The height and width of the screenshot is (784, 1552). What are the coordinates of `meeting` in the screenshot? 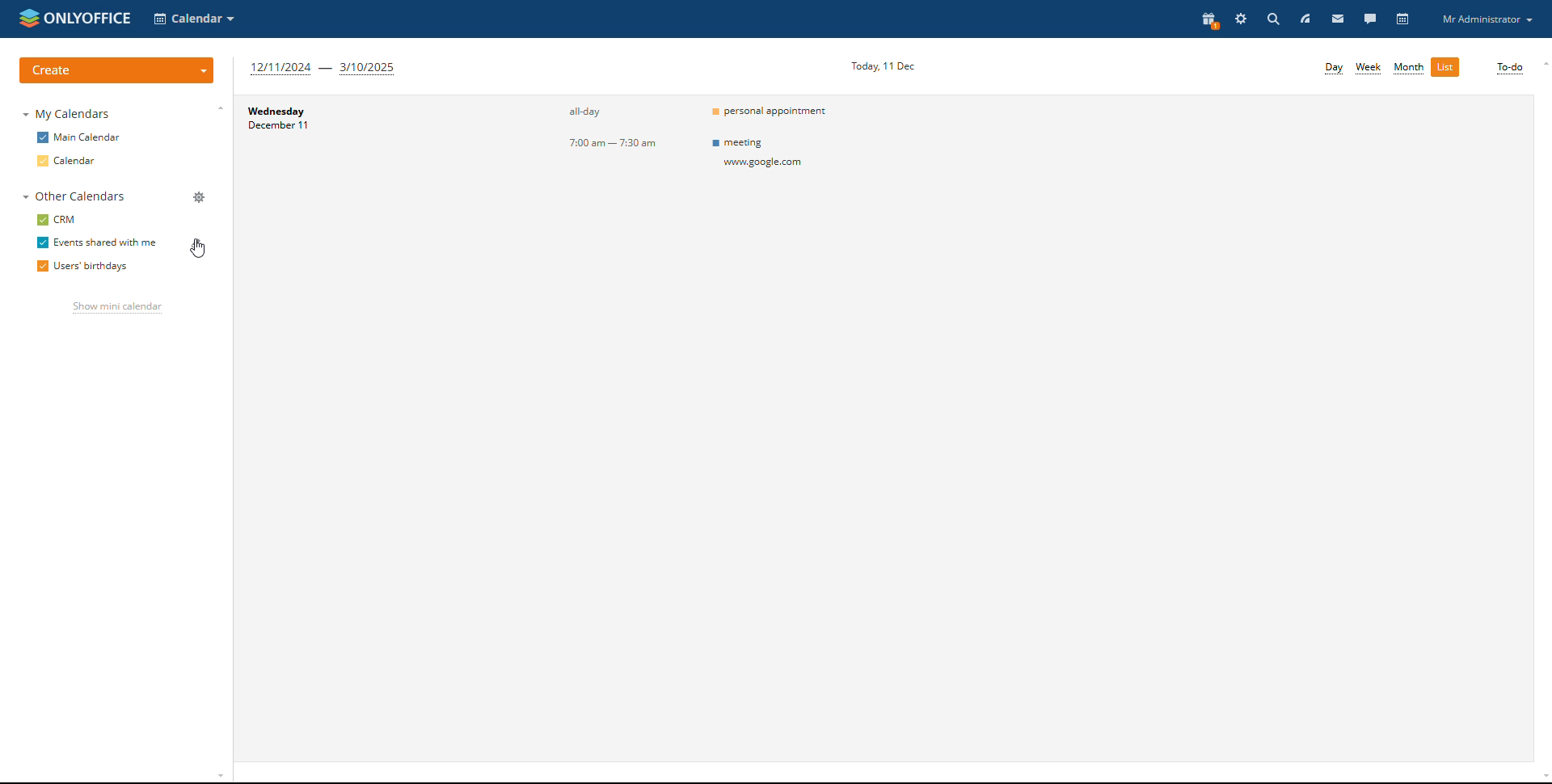 It's located at (763, 153).